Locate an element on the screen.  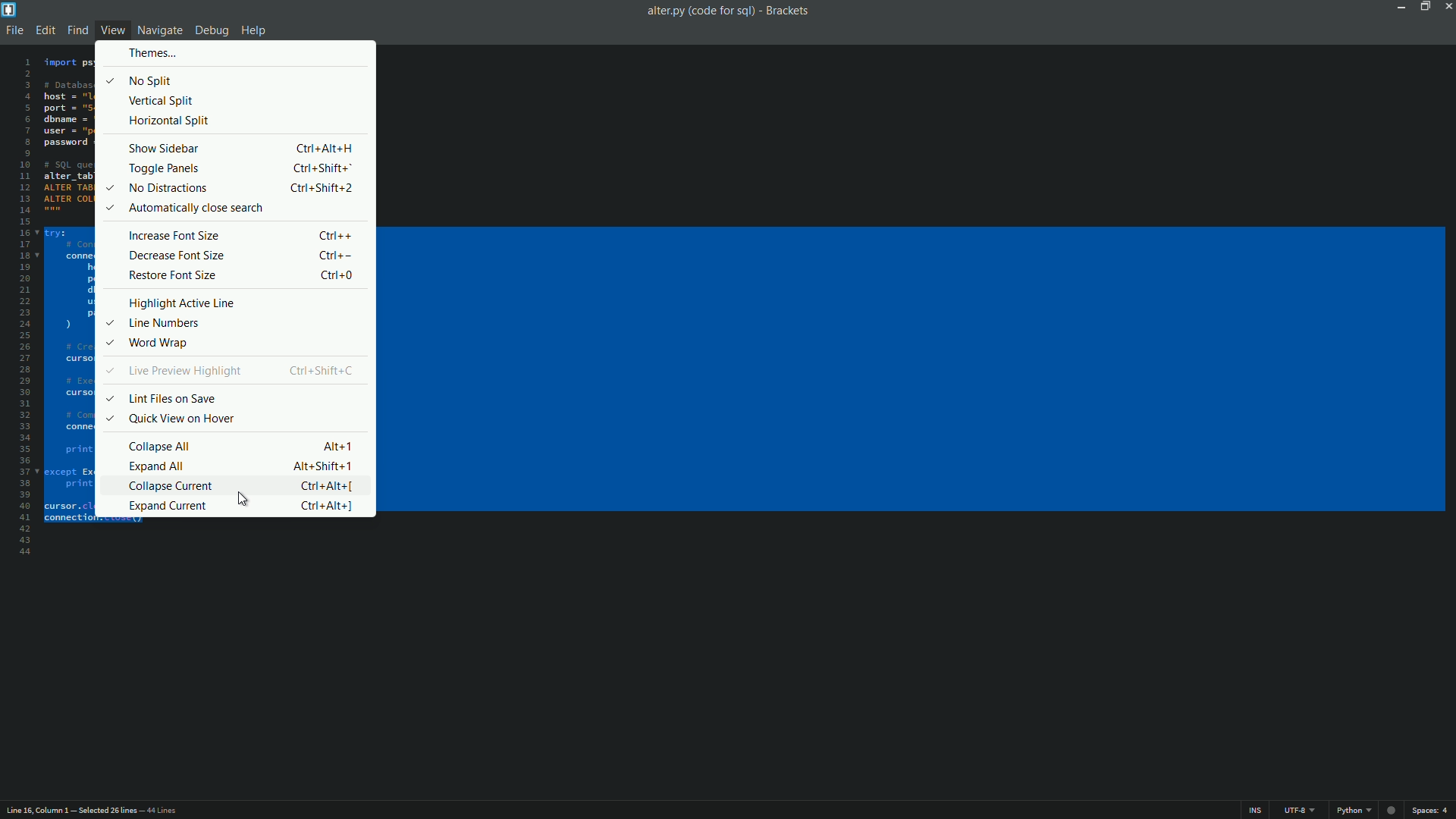
file name is located at coordinates (700, 11).